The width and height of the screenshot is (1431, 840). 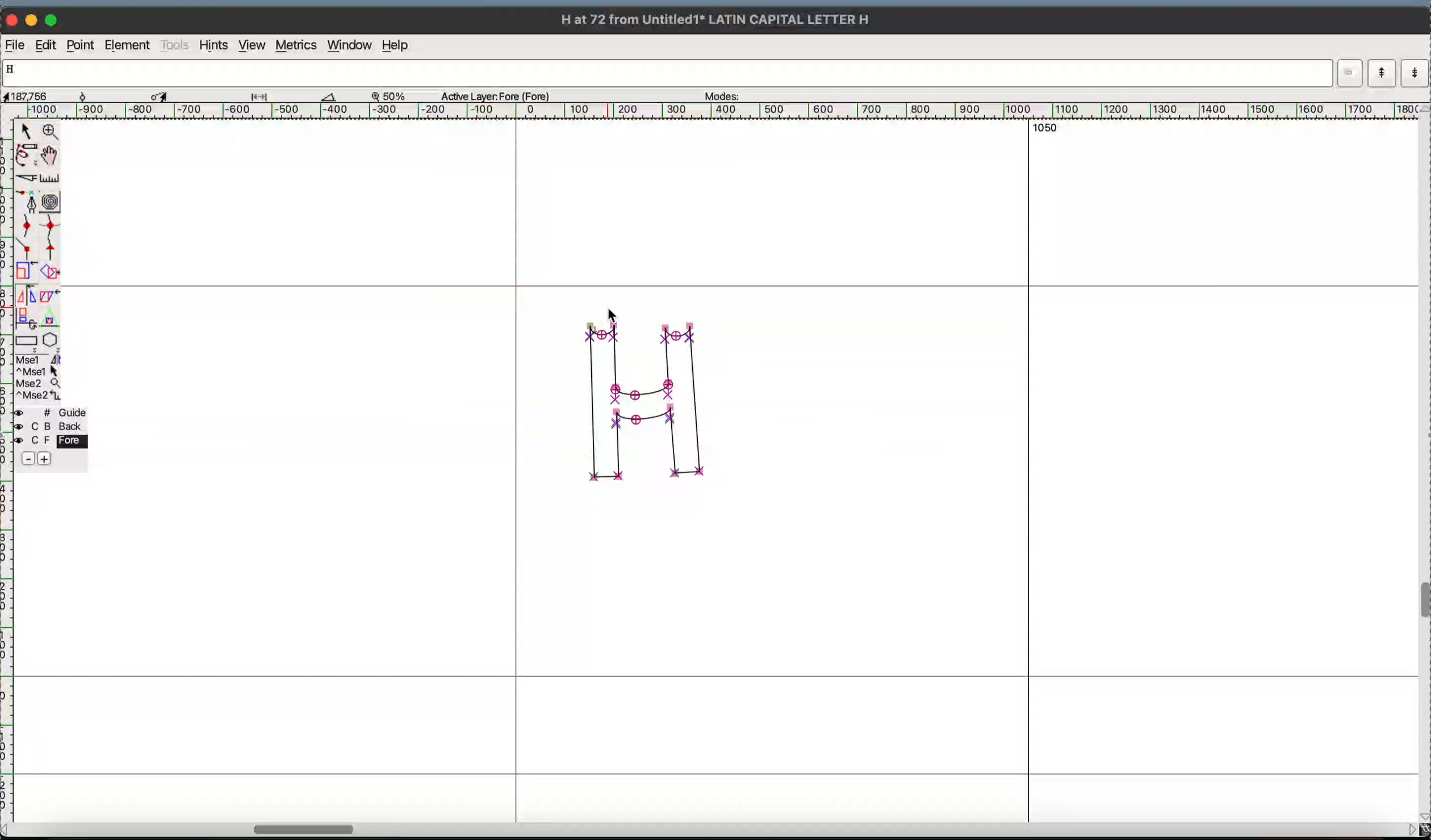 I want to click on flip, so click(x=27, y=293).